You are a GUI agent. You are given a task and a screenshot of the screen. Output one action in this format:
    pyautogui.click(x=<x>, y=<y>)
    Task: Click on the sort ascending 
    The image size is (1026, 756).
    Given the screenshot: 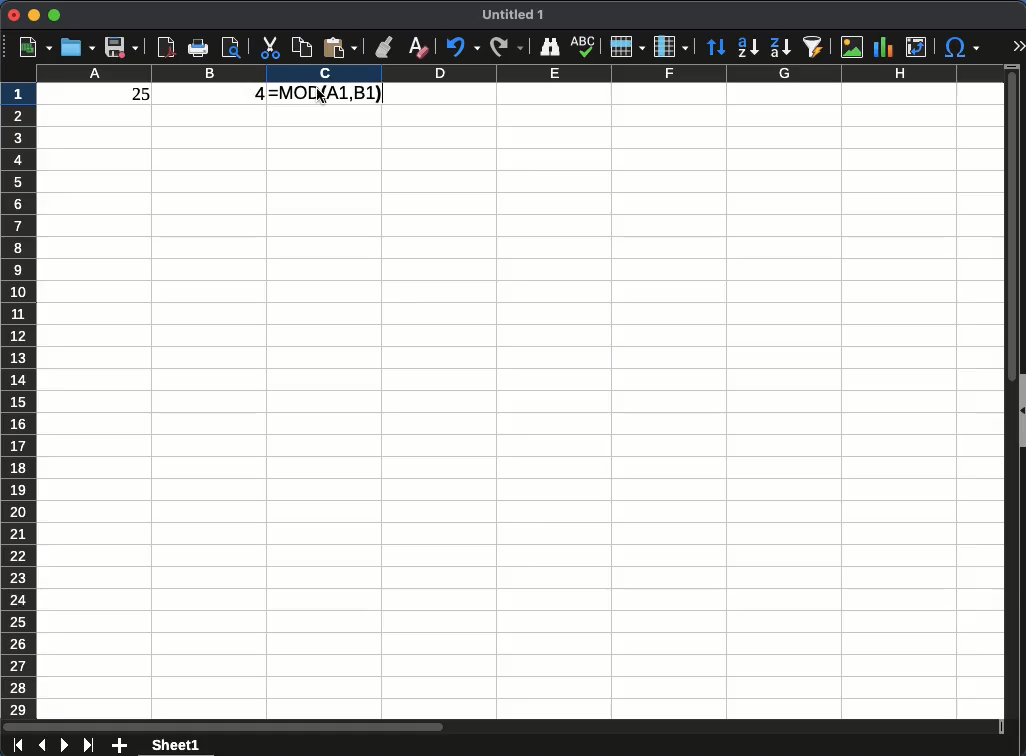 What is the action you would take?
    pyautogui.click(x=748, y=49)
    